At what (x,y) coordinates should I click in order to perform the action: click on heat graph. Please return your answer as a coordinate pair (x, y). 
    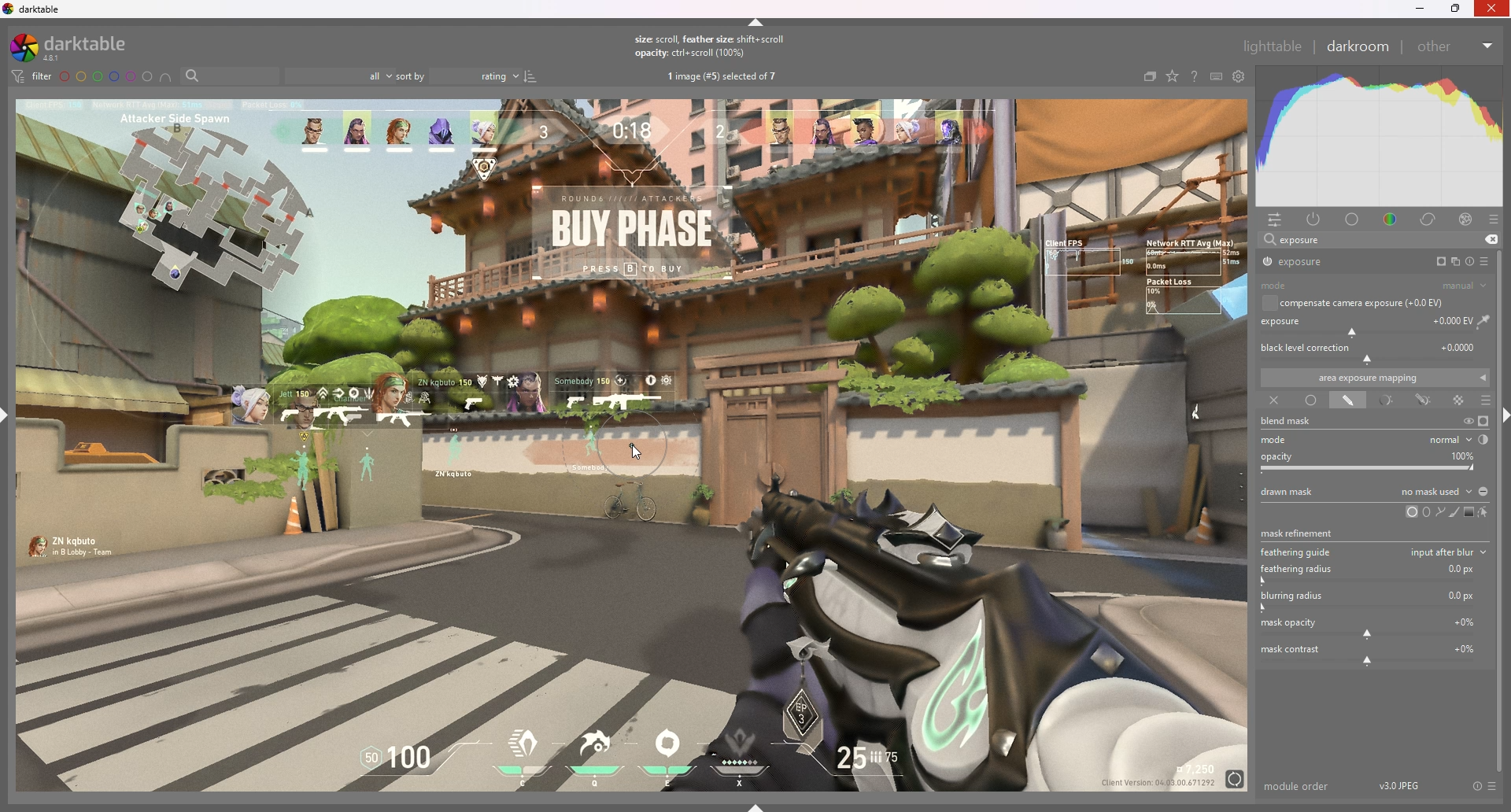
    Looking at the image, I should click on (1378, 137).